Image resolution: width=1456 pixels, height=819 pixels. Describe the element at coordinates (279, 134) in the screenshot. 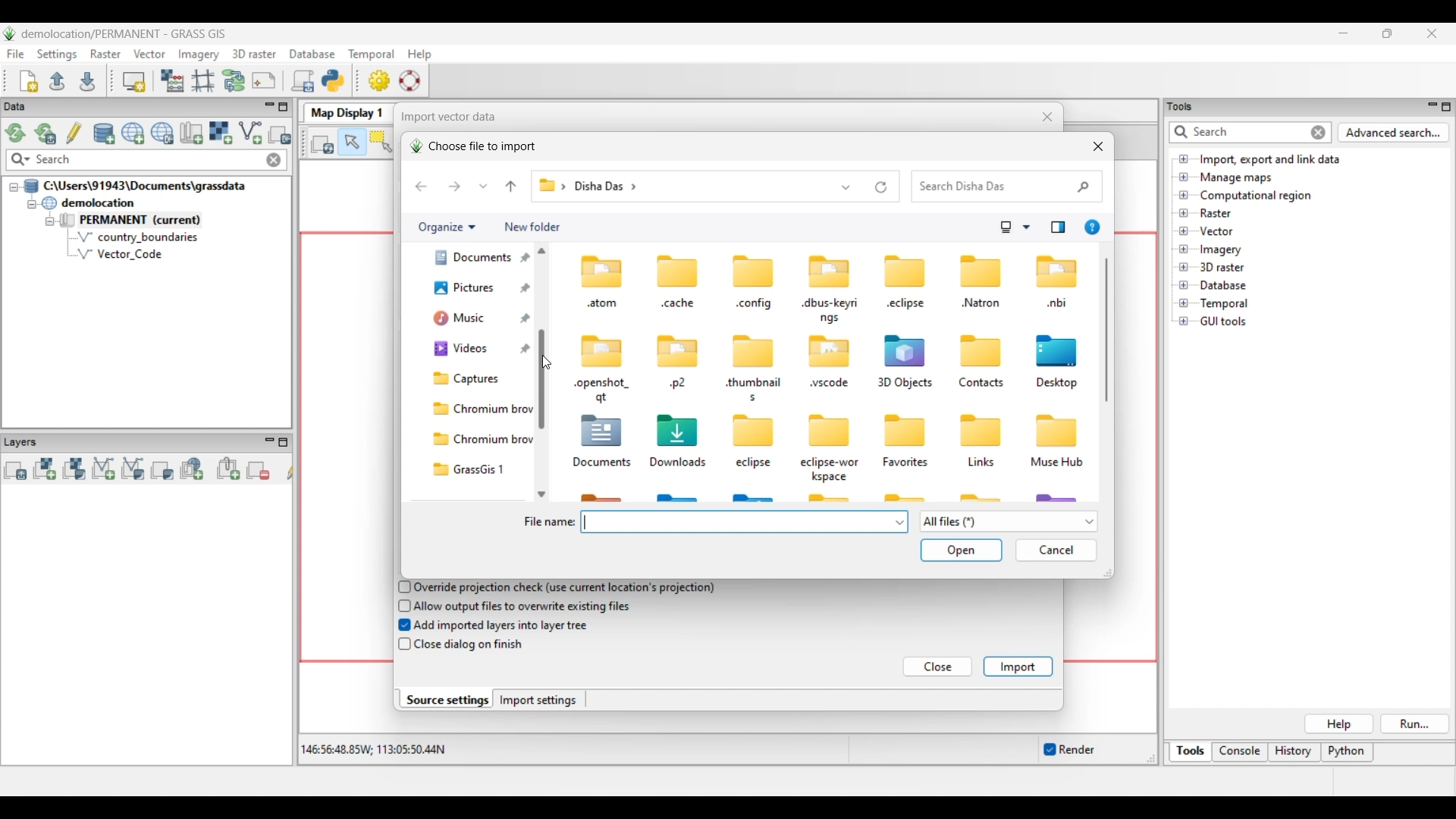

I see `Select another import option` at that location.